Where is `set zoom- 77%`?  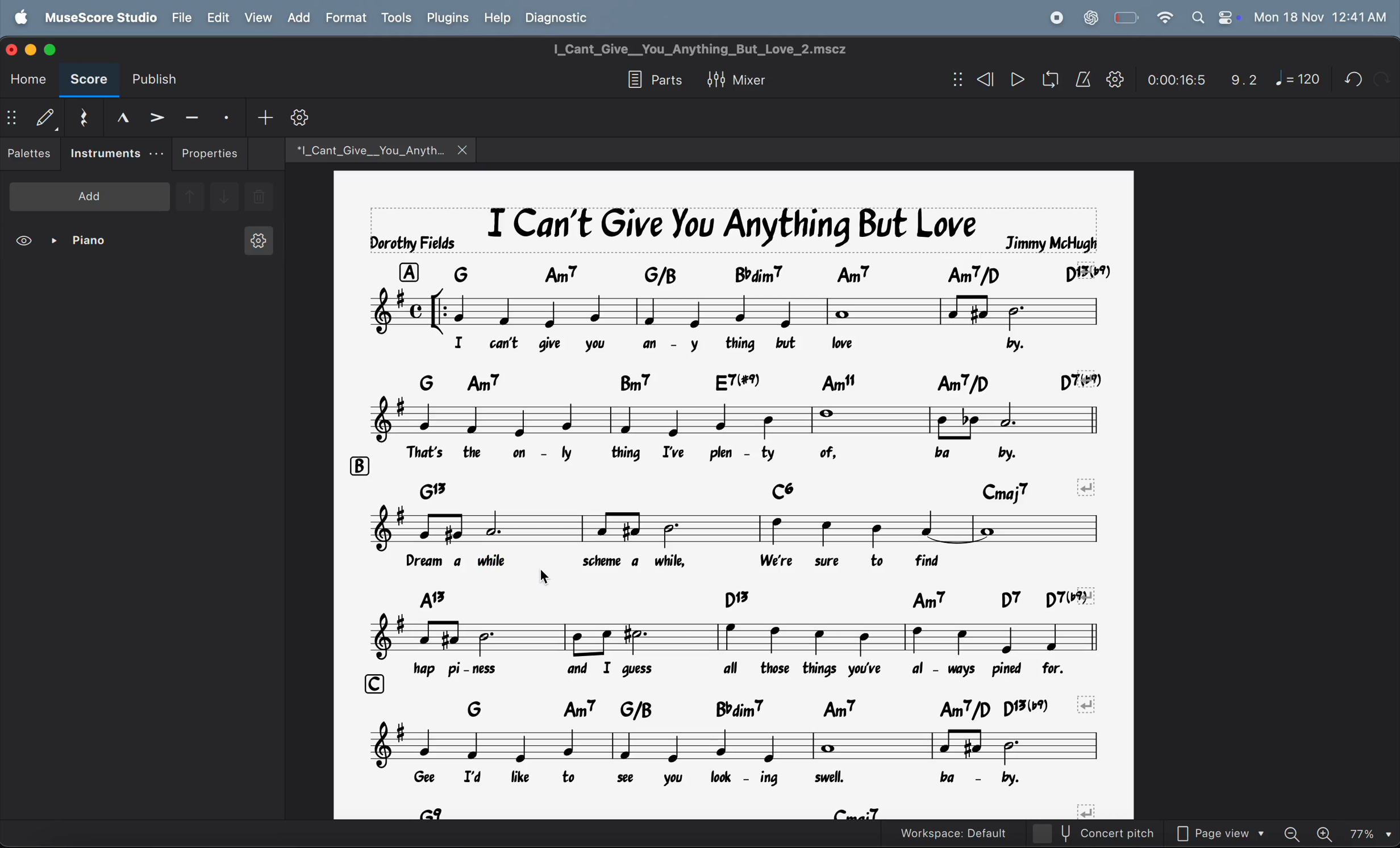
set zoom- 77% is located at coordinates (1372, 833).